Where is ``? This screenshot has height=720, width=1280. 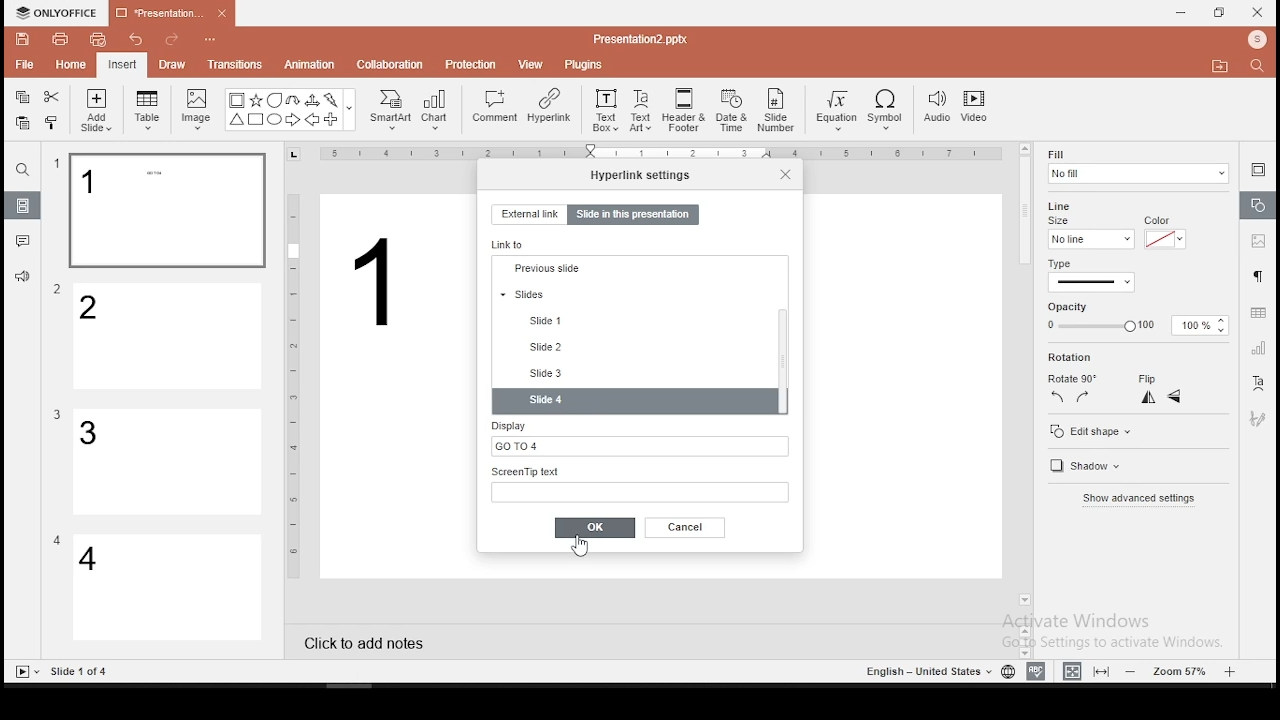
 is located at coordinates (81, 672).